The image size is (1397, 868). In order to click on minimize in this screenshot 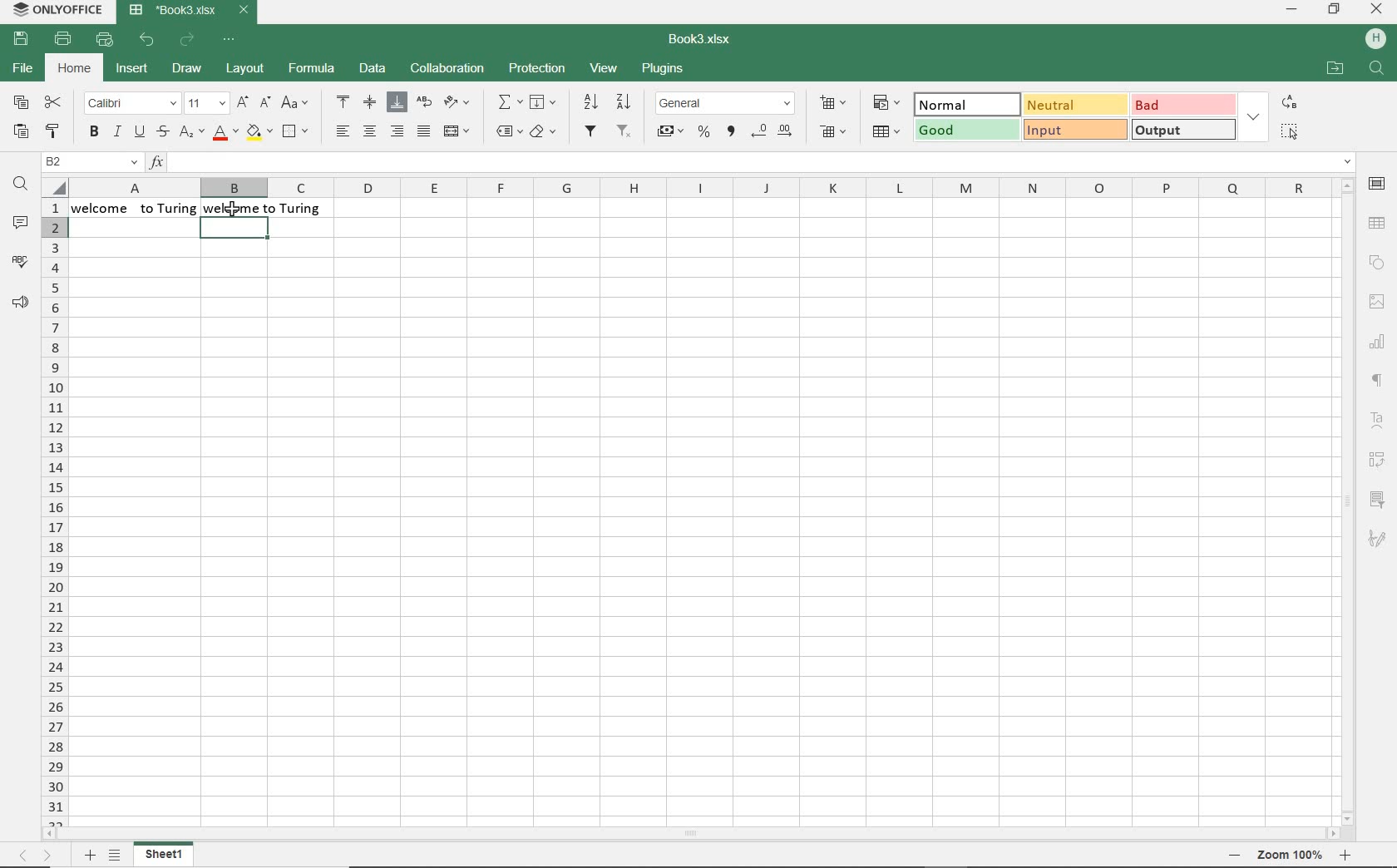, I will do `click(1291, 8)`.